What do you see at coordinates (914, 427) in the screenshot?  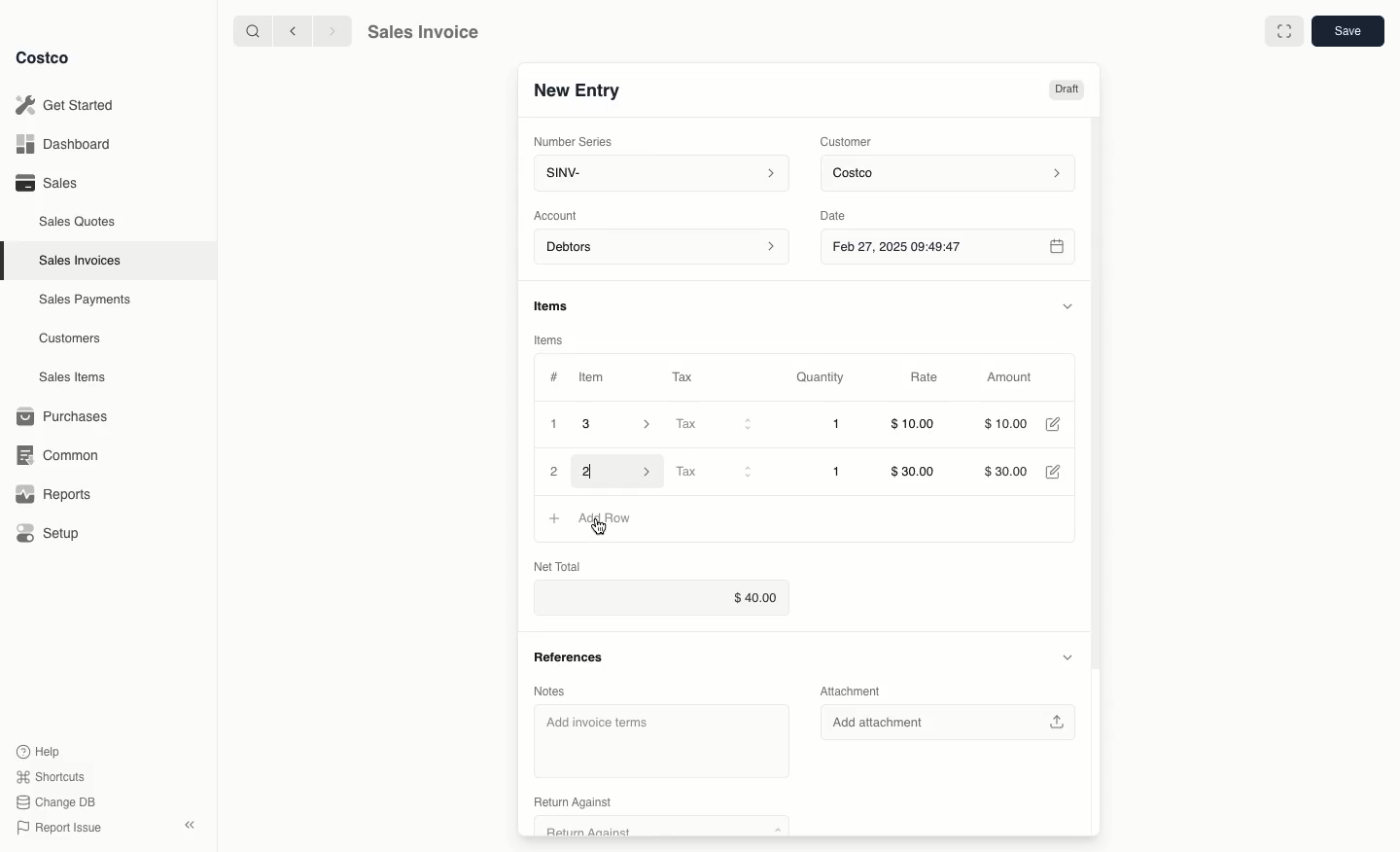 I see `$10.00` at bounding box center [914, 427].